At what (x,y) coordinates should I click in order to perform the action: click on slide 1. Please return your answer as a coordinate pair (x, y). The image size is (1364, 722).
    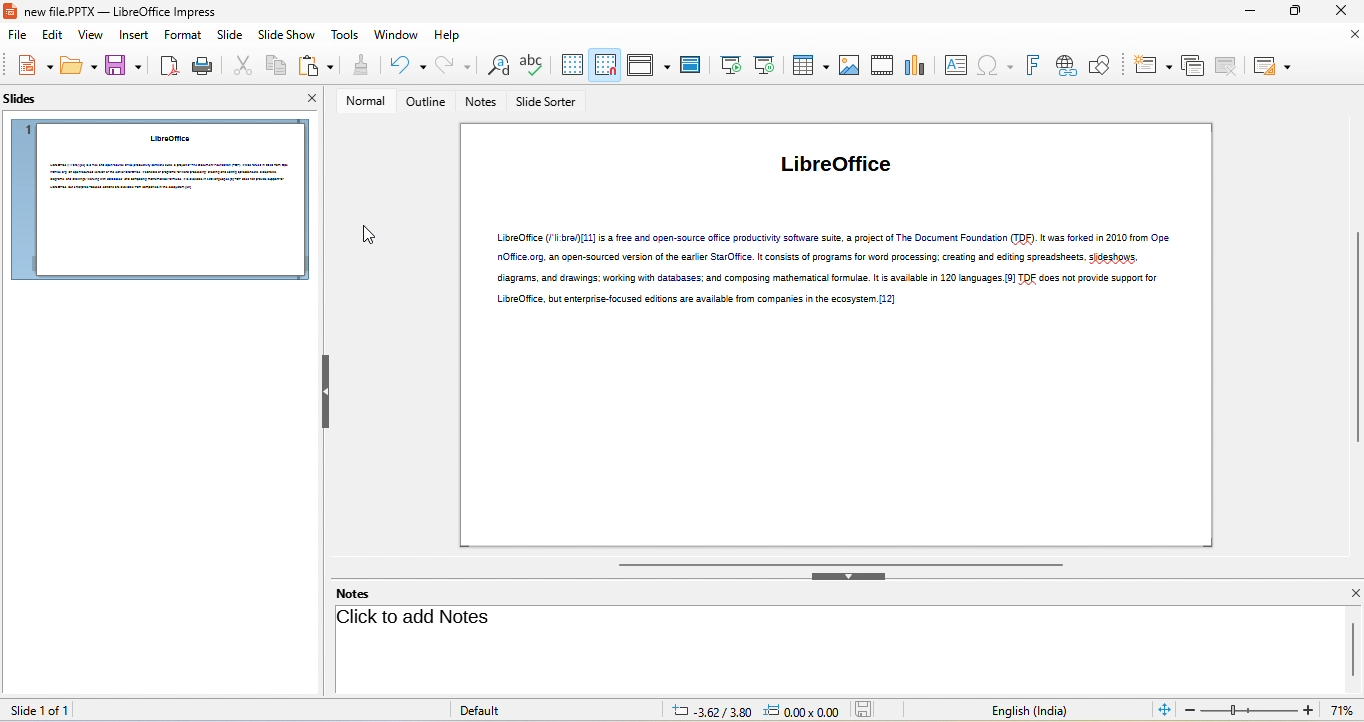
    Looking at the image, I should click on (160, 199).